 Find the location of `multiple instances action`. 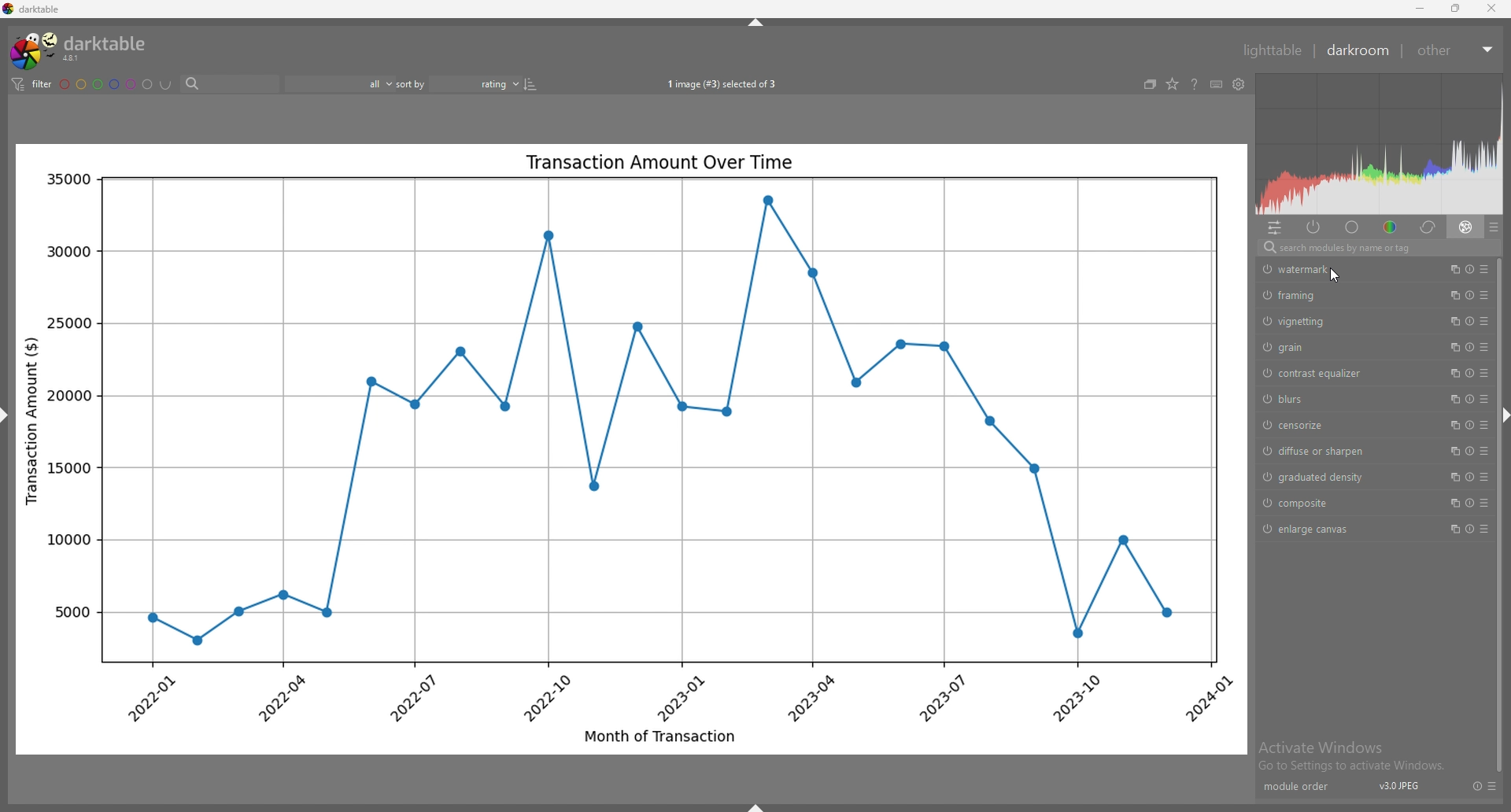

multiple instances action is located at coordinates (1452, 424).